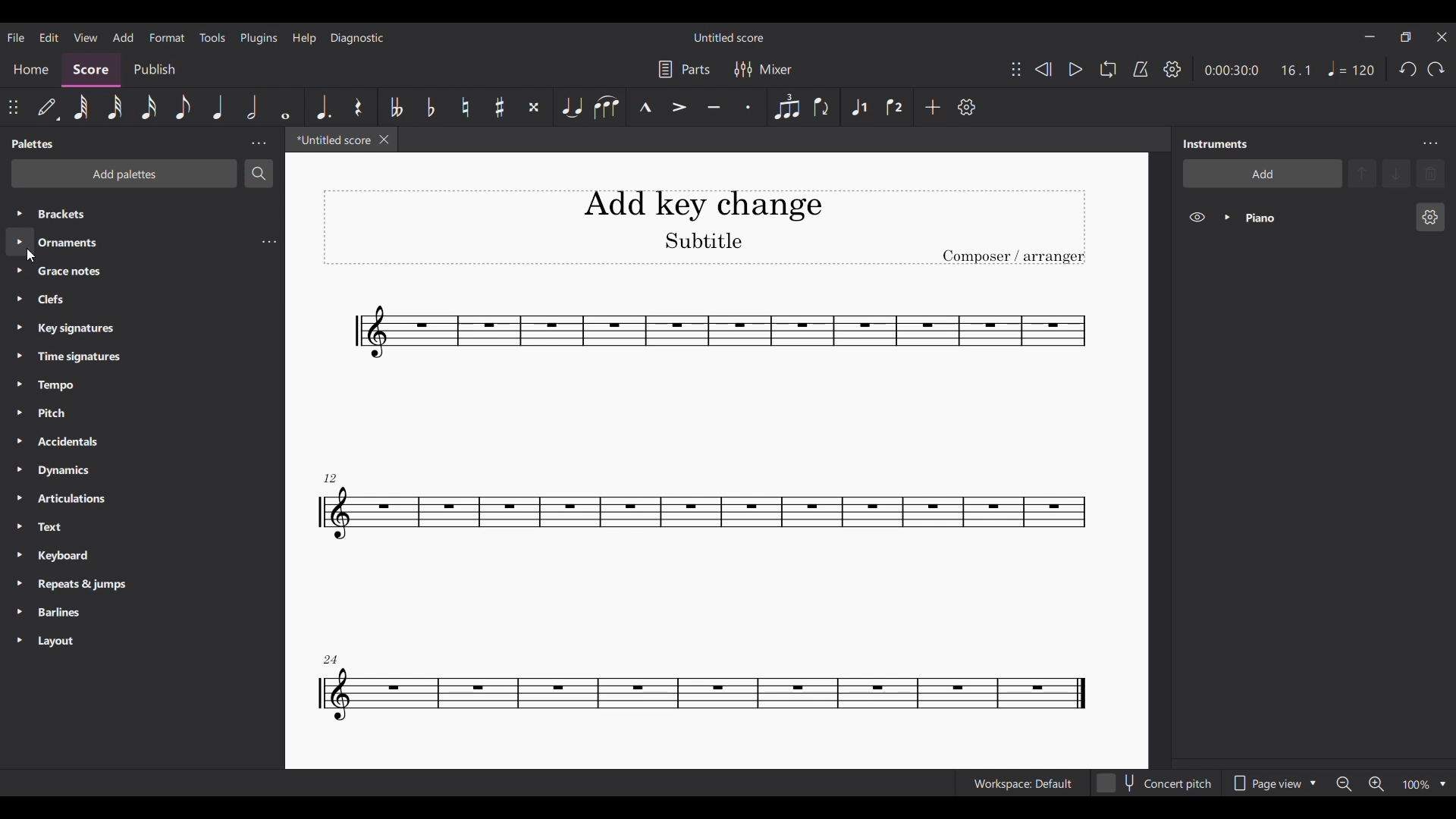 Image resolution: width=1456 pixels, height=819 pixels. I want to click on Toggle for Concert pitch, so click(1156, 783).